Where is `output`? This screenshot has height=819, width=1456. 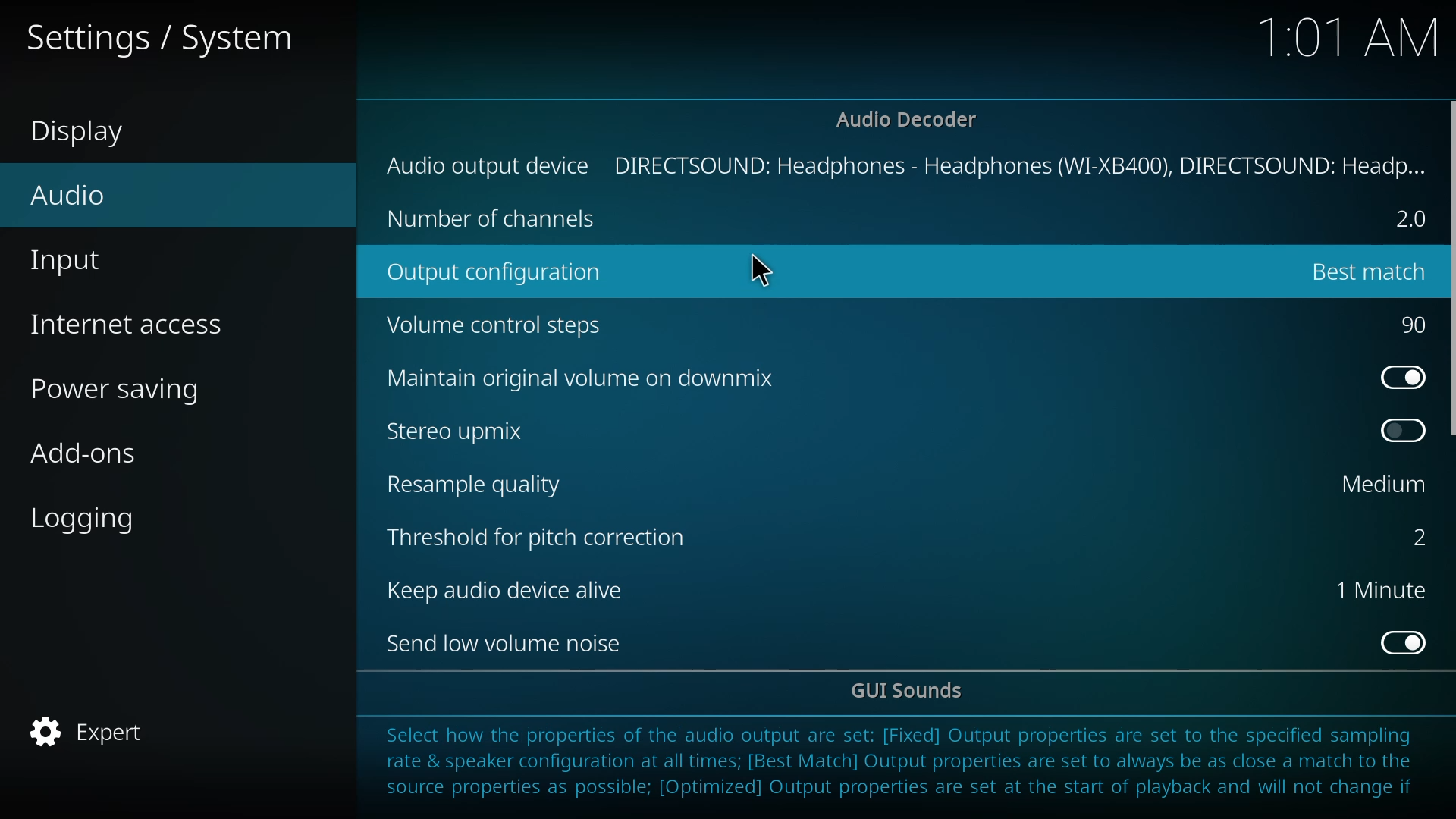
output is located at coordinates (902, 165).